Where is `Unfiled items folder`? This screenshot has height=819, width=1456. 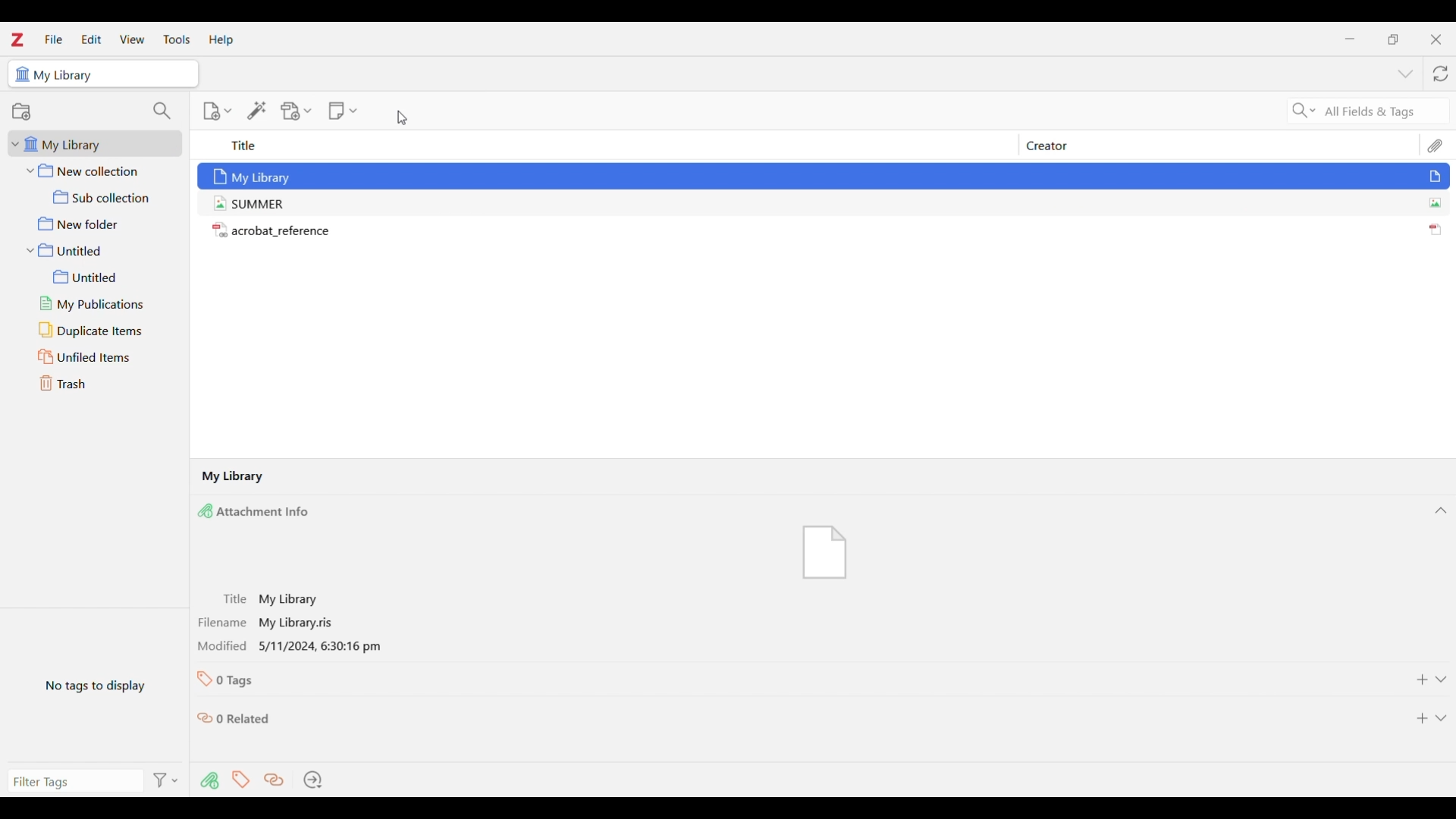 Unfiled items folder is located at coordinates (99, 356).